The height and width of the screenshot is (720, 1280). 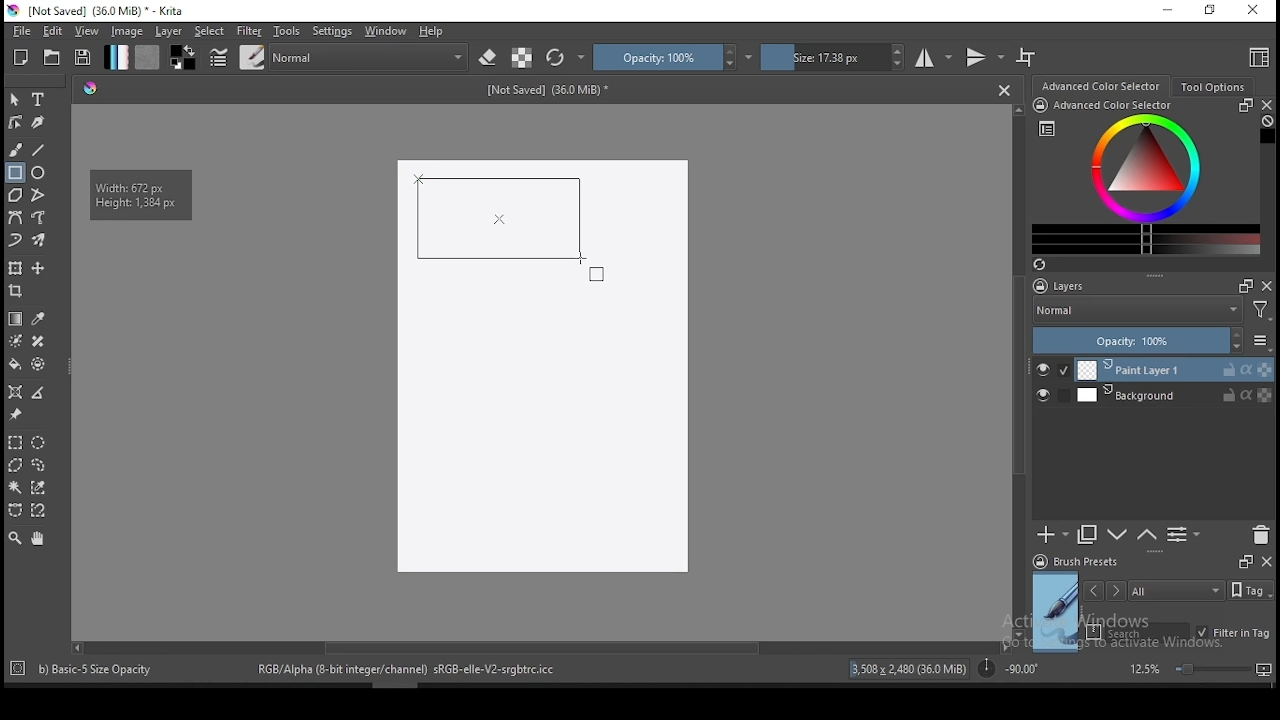 I want to click on brush presets, so click(x=1082, y=562).